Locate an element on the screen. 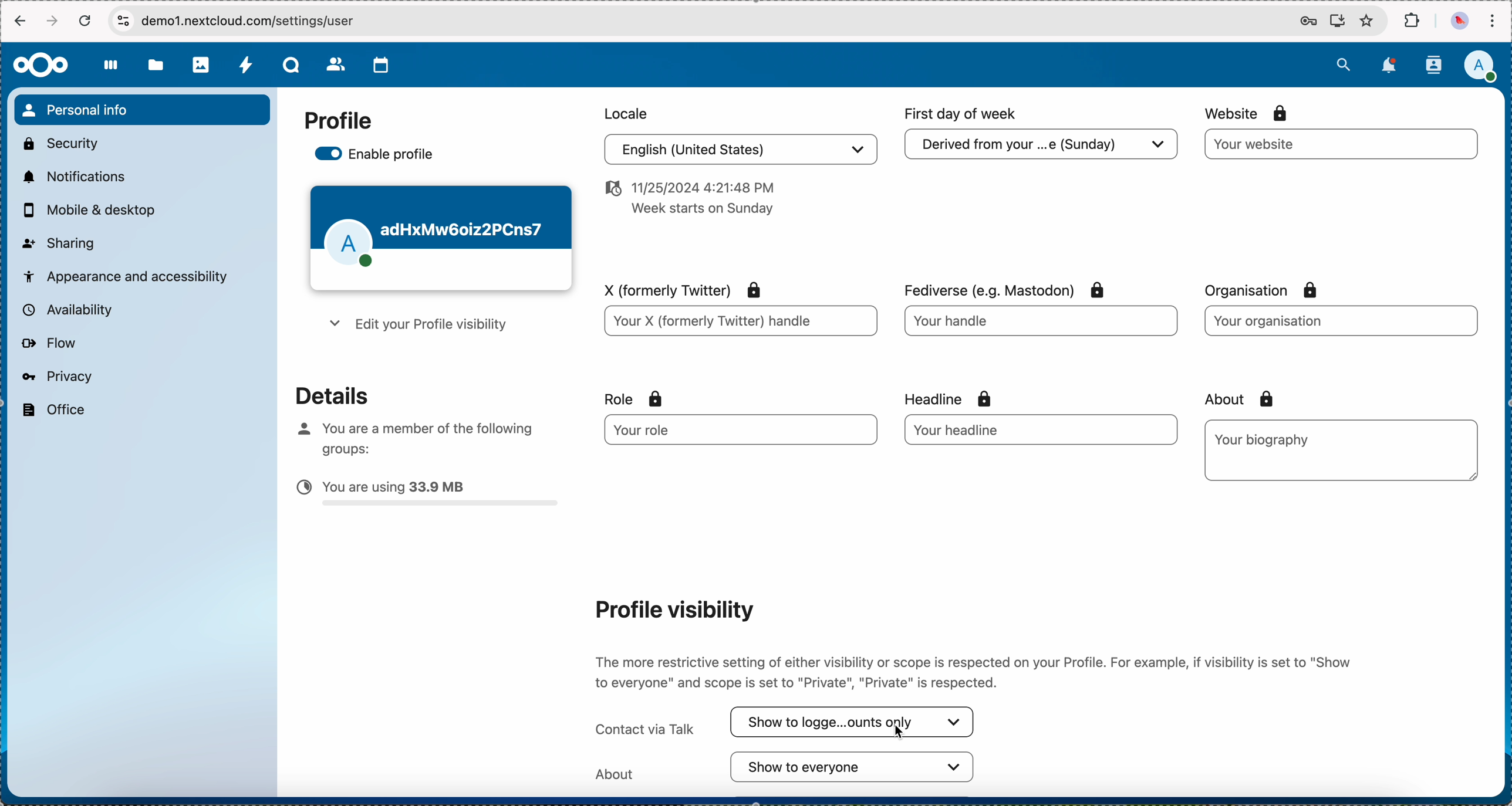 Image resolution: width=1512 pixels, height=806 pixels. your X is located at coordinates (740, 323).